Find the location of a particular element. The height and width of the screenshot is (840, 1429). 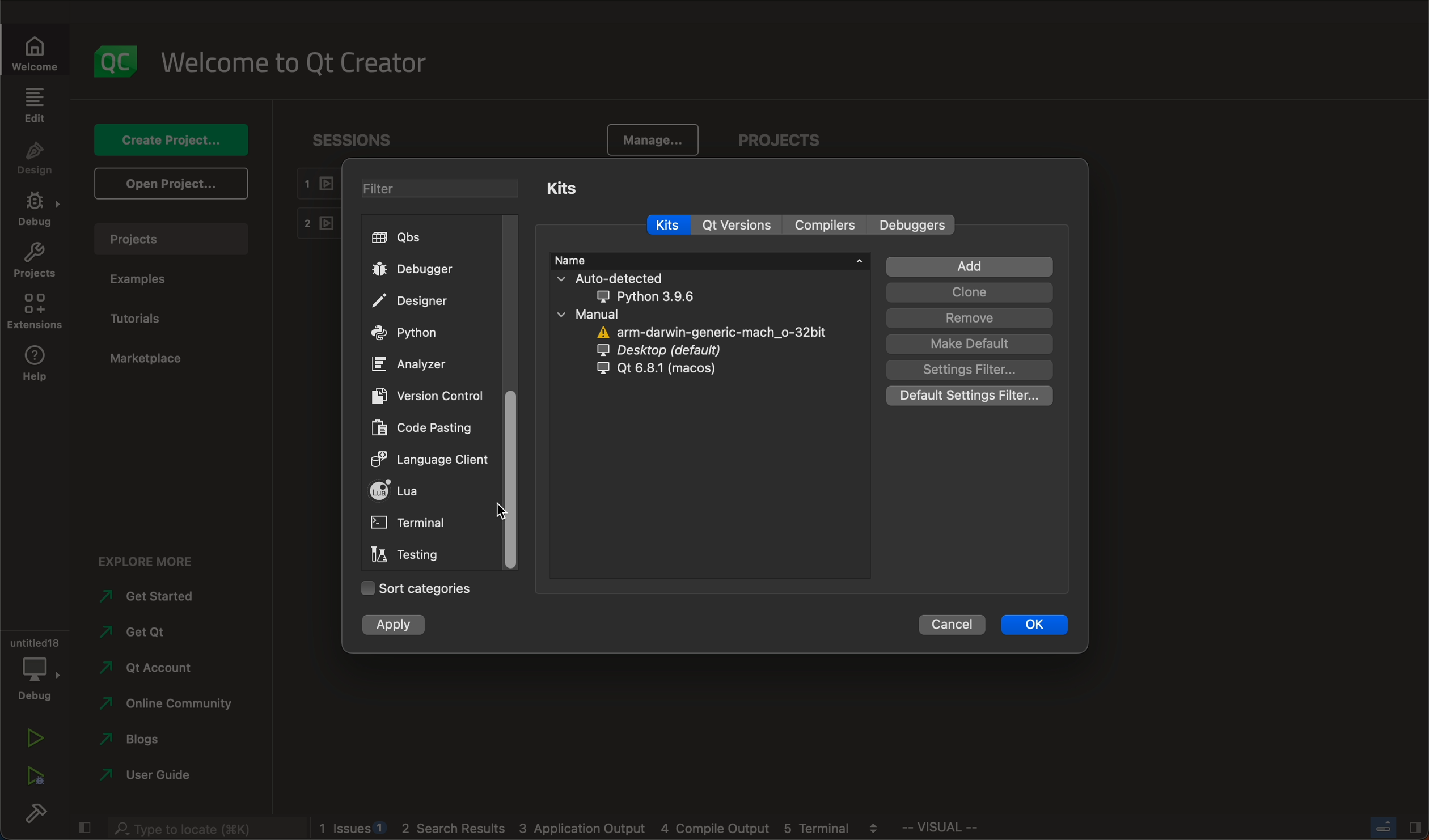

version is located at coordinates (434, 394).